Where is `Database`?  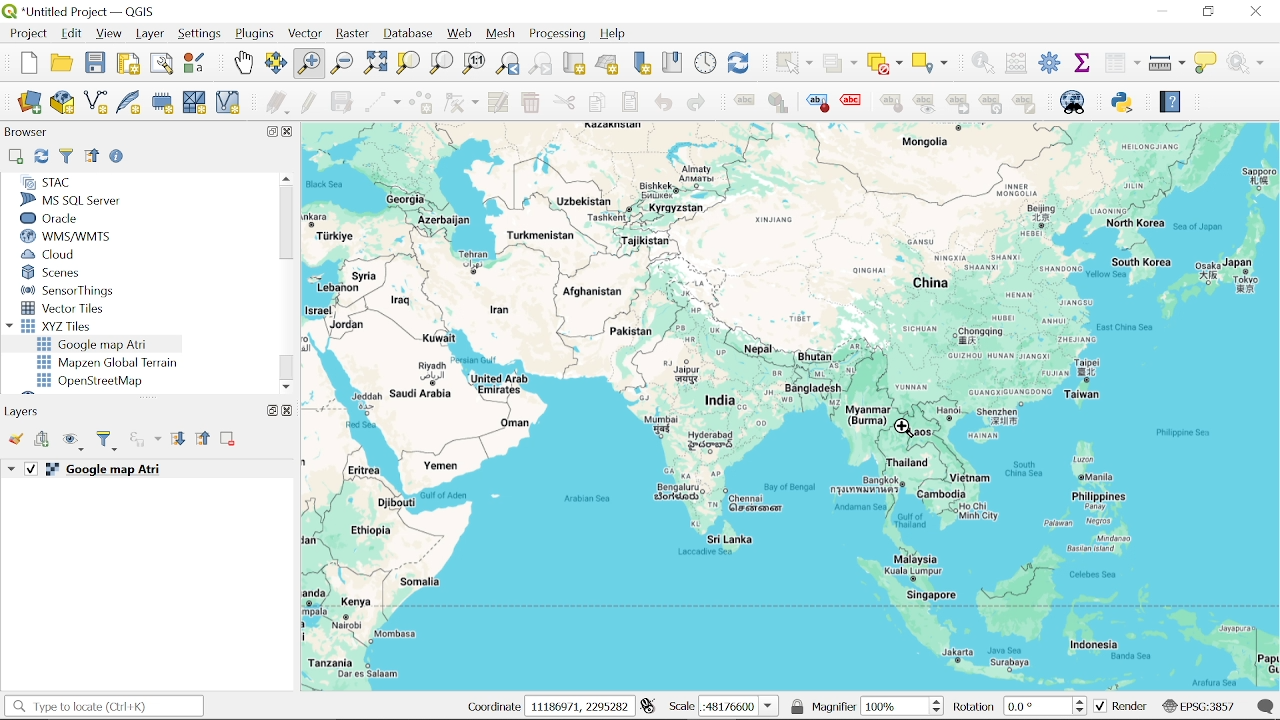 Database is located at coordinates (409, 35).